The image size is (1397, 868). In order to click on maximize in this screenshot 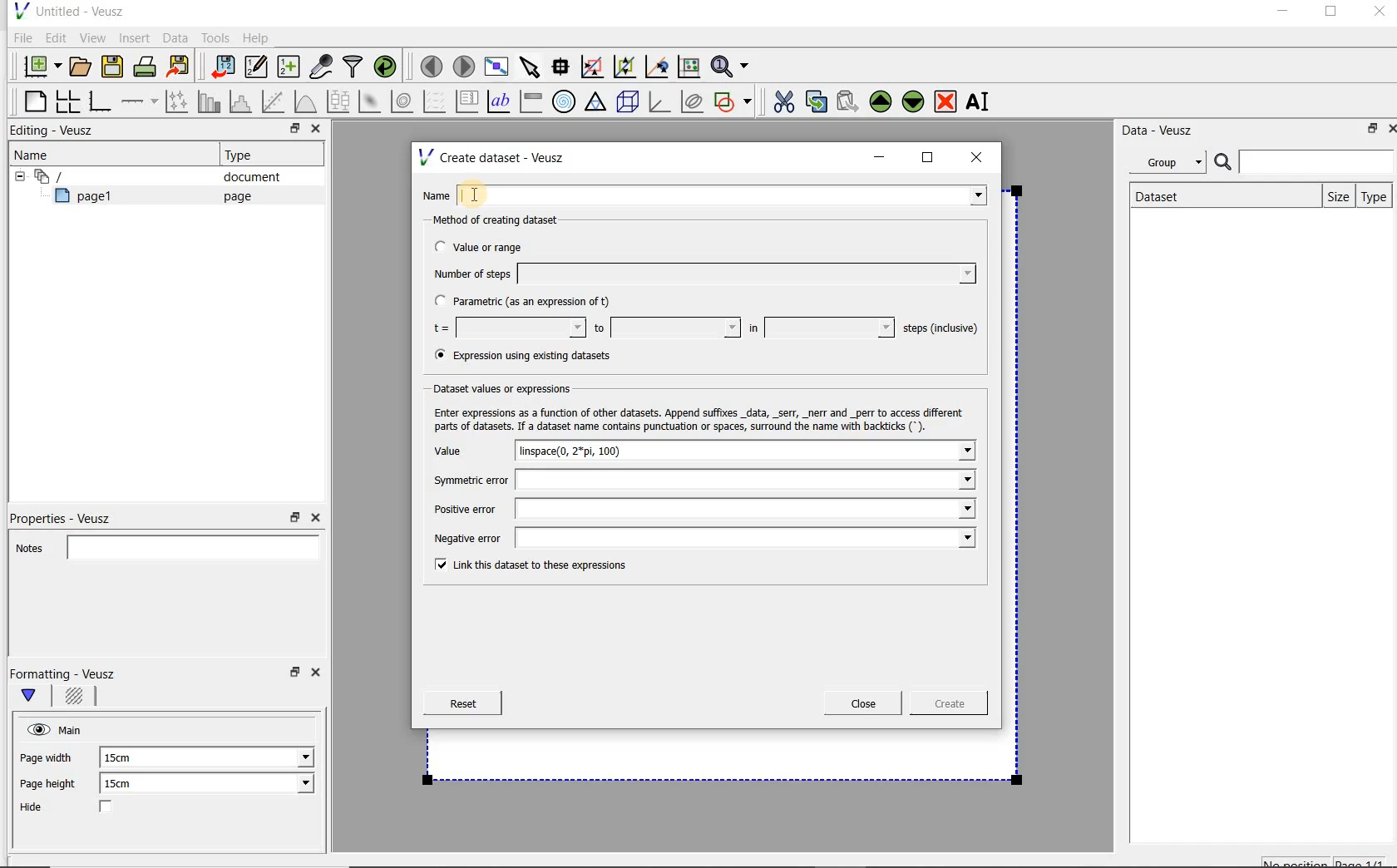, I will do `click(928, 158)`.